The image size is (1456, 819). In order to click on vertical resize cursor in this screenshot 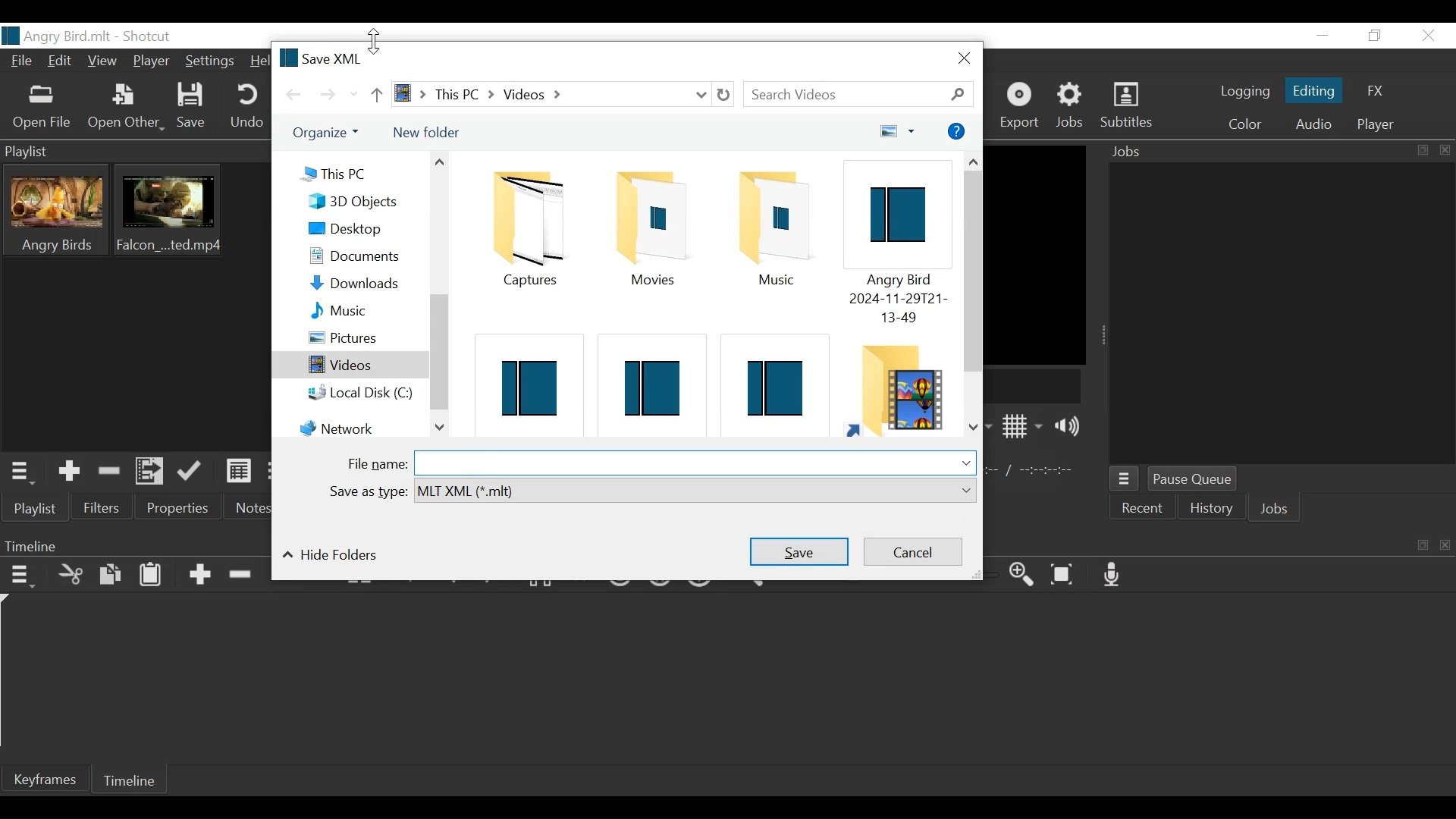, I will do `click(373, 40)`.